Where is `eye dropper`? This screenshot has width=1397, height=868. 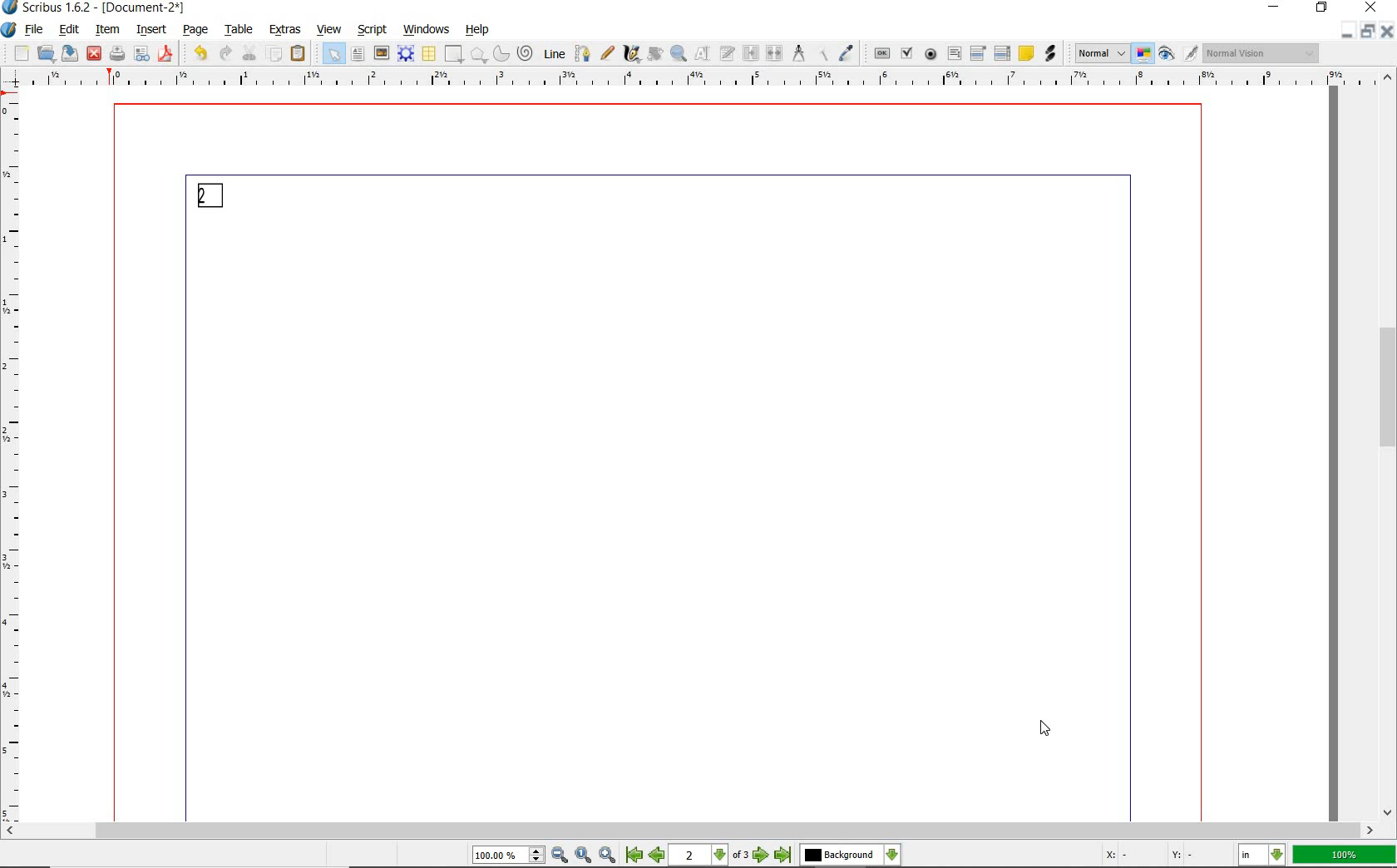
eye dropper is located at coordinates (848, 52).